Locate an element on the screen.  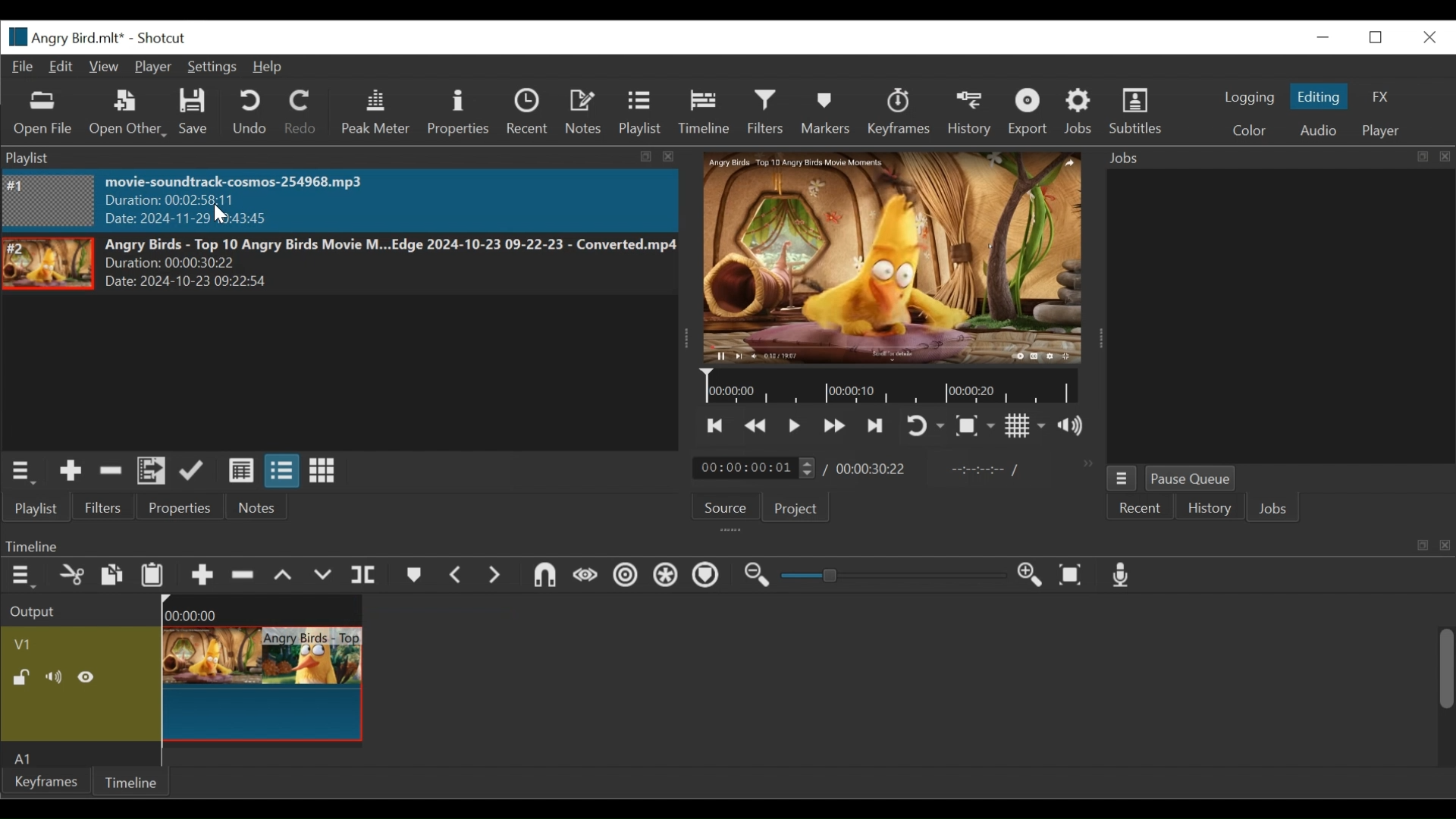
Properties is located at coordinates (458, 111).